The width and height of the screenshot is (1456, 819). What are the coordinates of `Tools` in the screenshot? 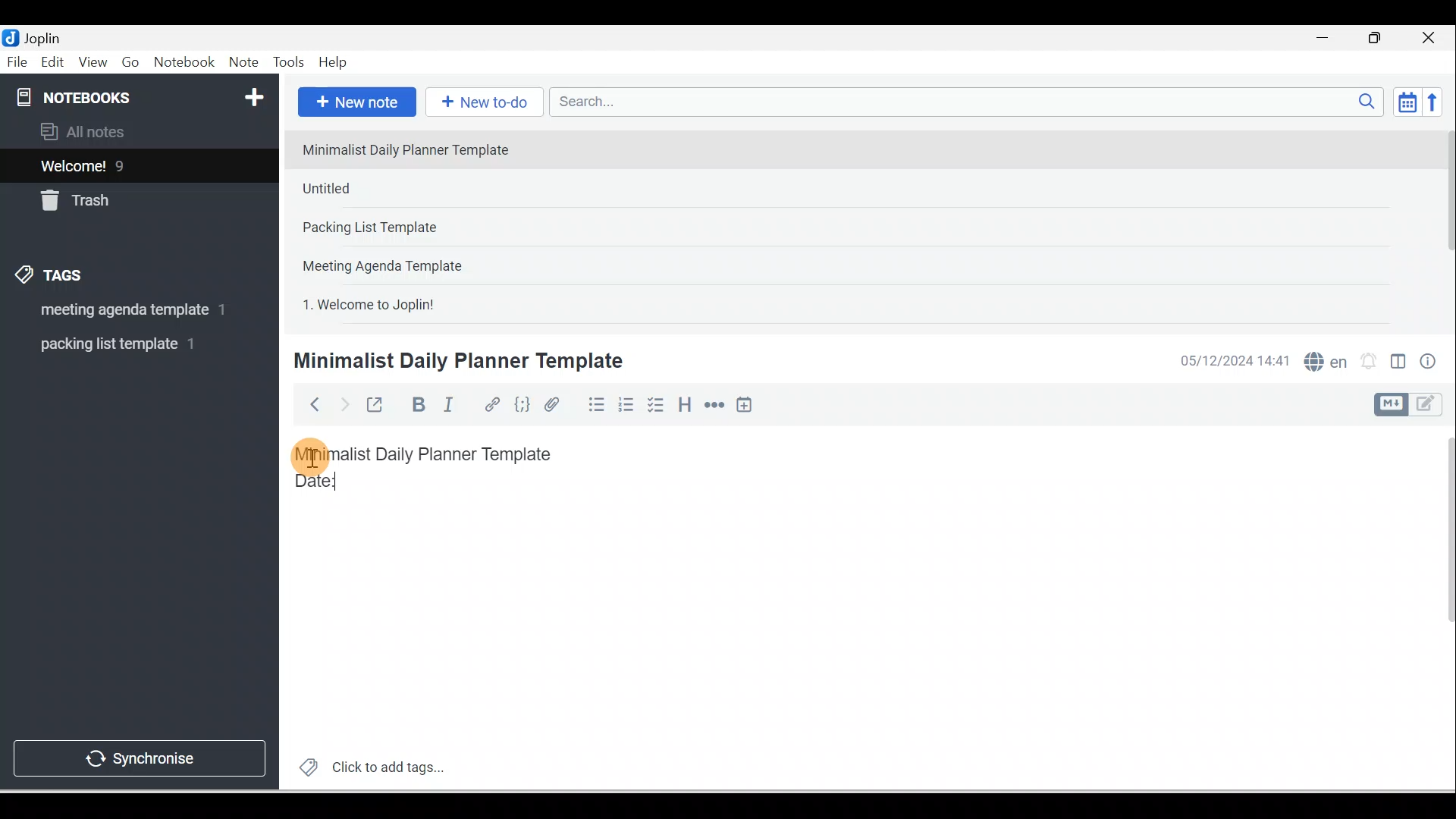 It's located at (288, 62).